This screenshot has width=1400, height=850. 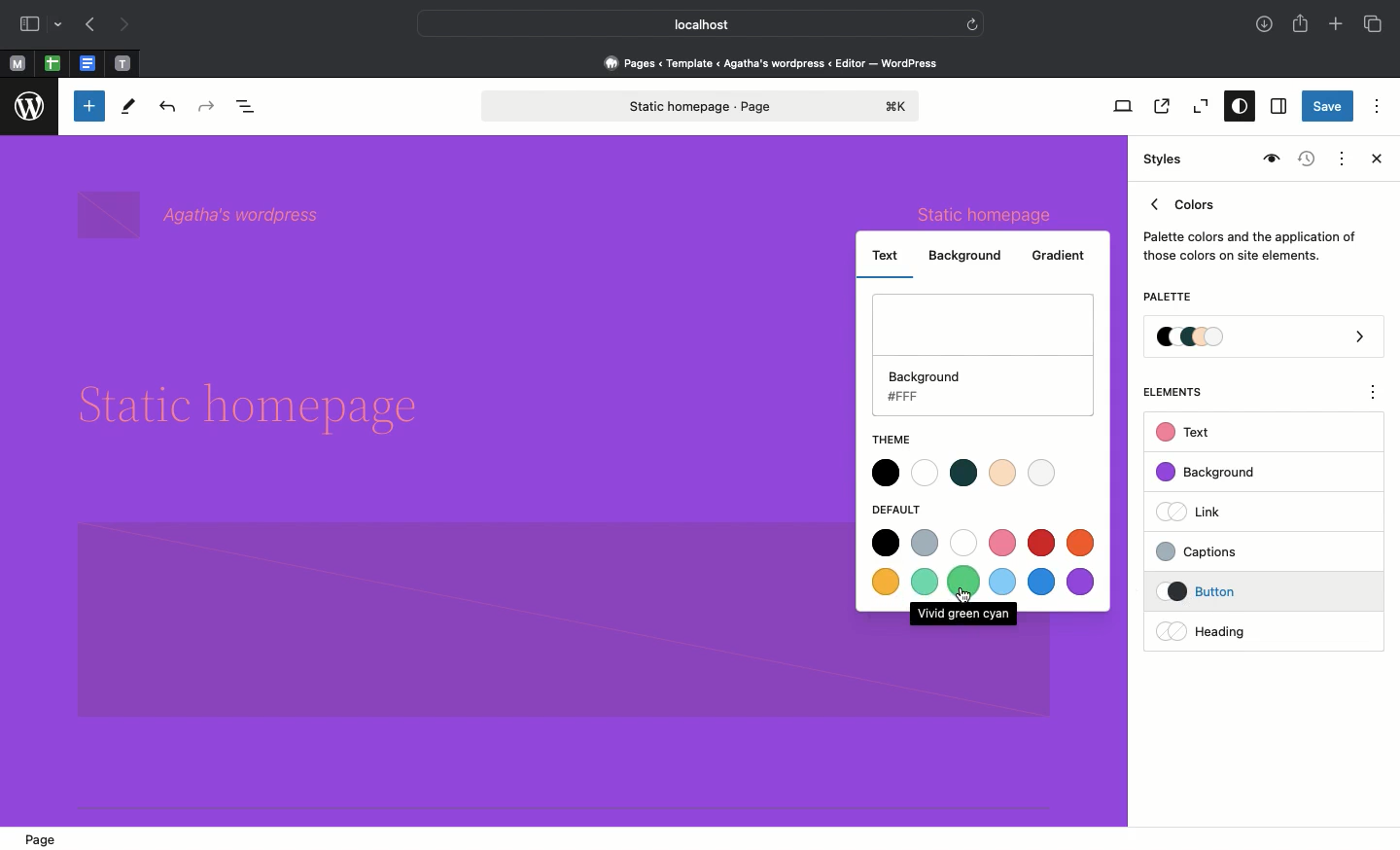 What do you see at coordinates (129, 111) in the screenshot?
I see `Tools` at bounding box center [129, 111].